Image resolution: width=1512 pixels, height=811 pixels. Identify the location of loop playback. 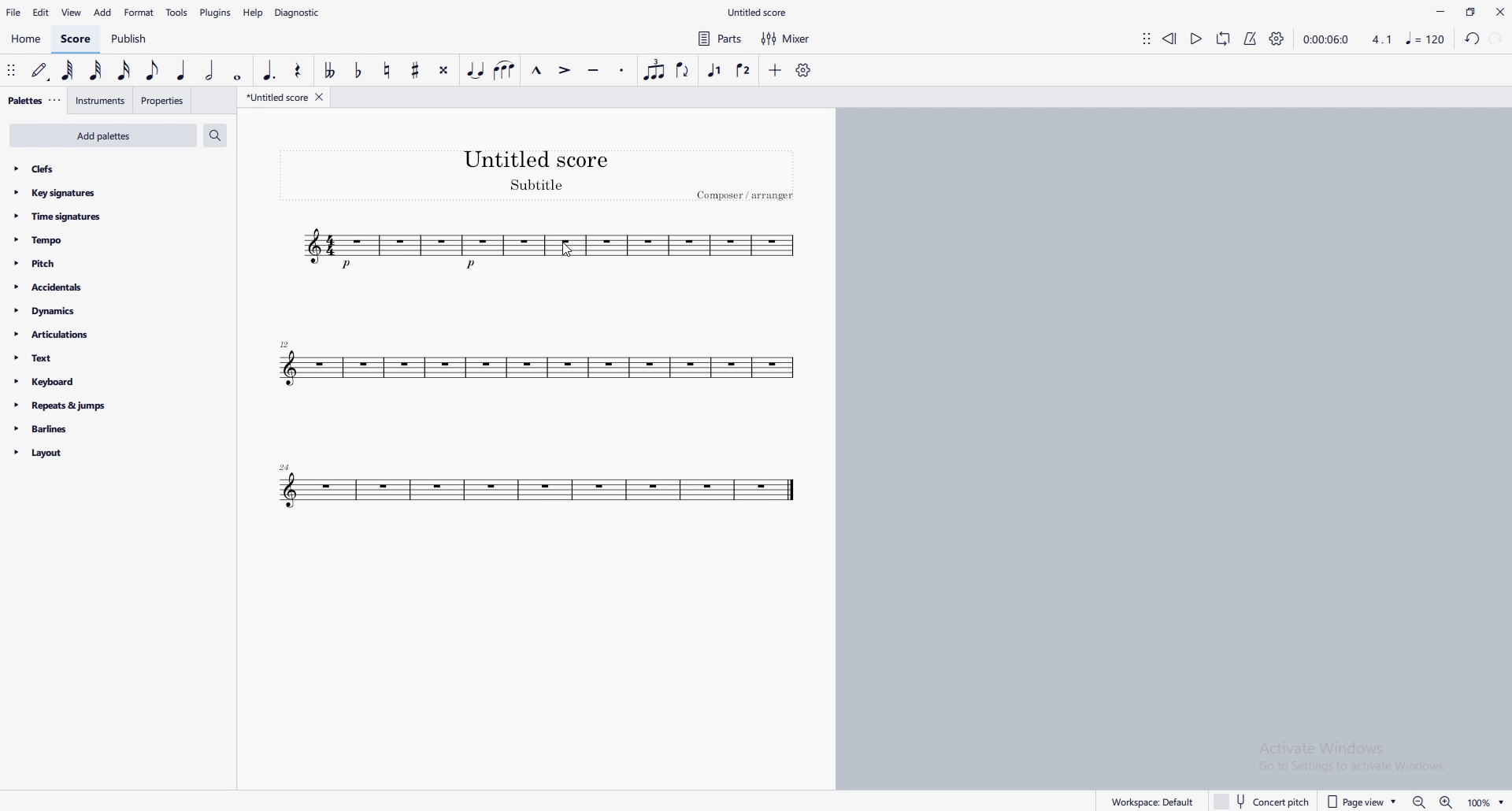
(1222, 38).